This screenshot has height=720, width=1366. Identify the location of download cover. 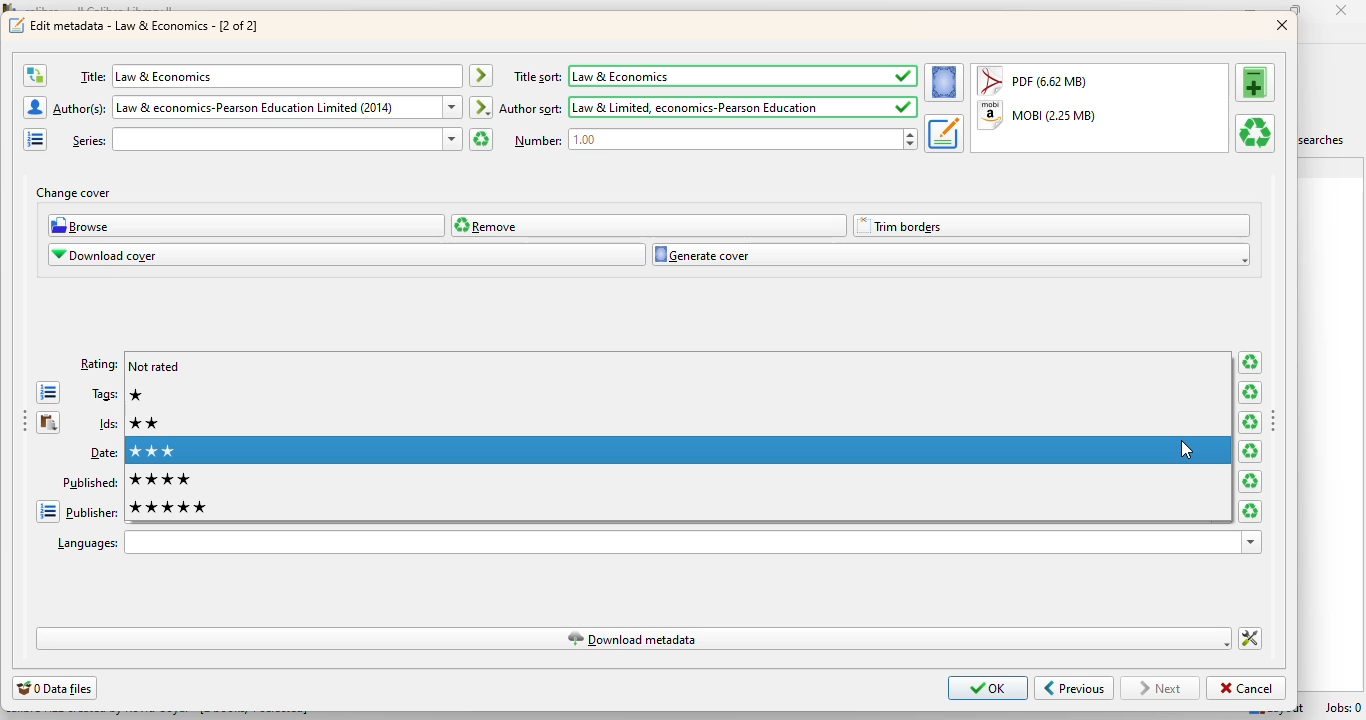
(347, 255).